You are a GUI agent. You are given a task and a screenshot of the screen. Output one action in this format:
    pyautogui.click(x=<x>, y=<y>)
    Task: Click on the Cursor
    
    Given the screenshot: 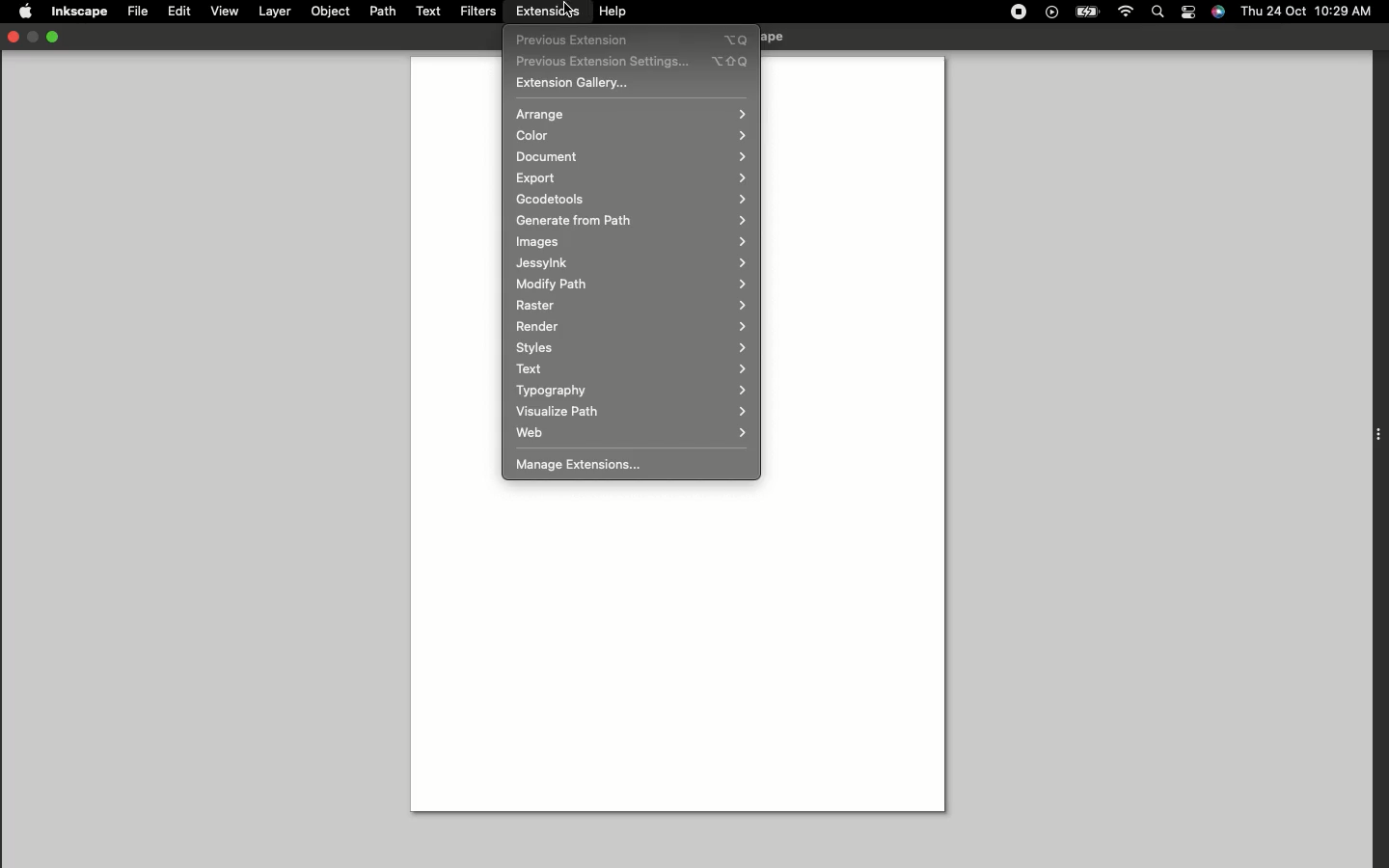 What is the action you would take?
    pyautogui.click(x=567, y=10)
    